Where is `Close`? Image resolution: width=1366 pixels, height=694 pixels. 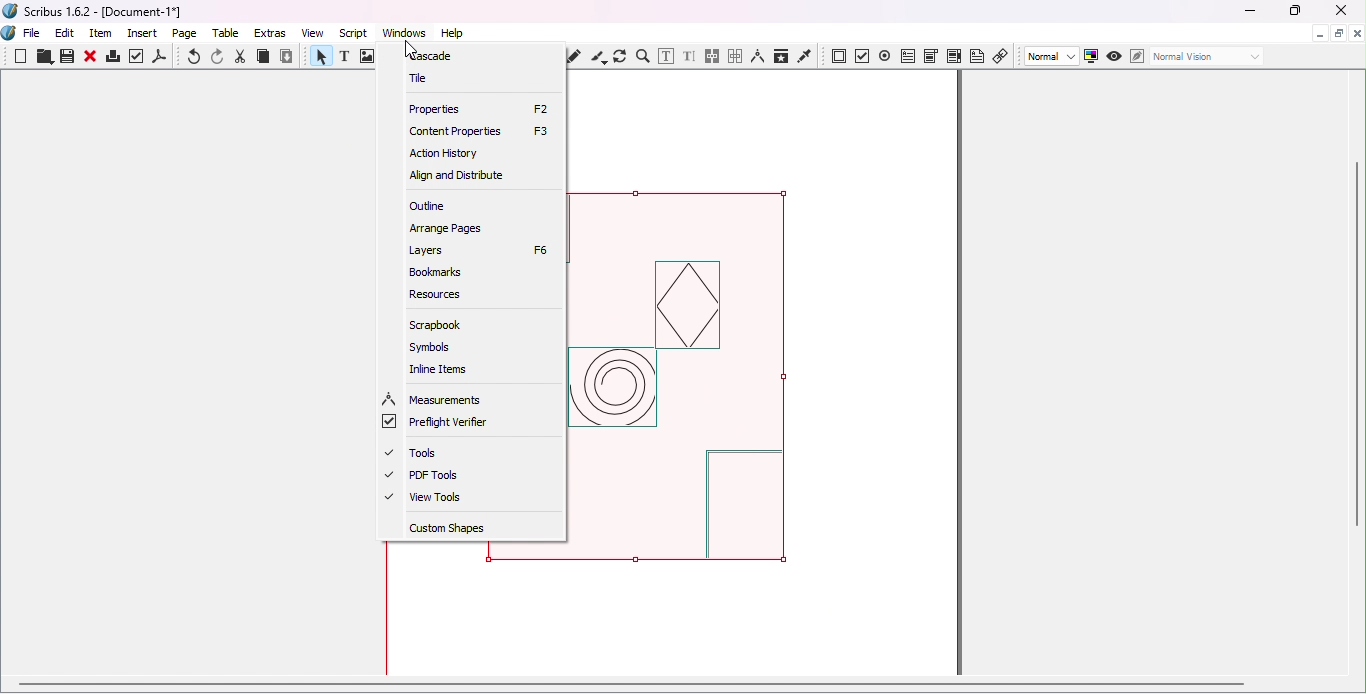 Close is located at coordinates (1337, 12).